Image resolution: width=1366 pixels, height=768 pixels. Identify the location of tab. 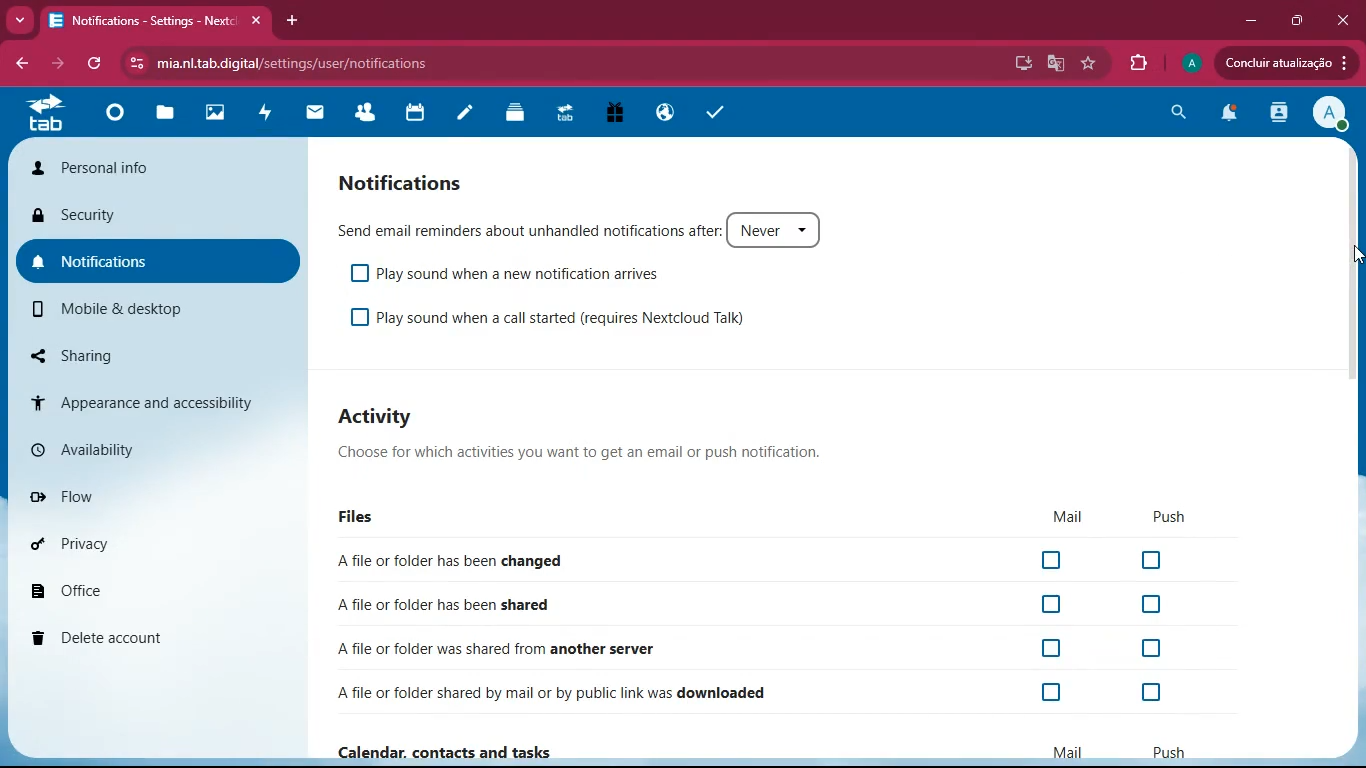
(143, 21).